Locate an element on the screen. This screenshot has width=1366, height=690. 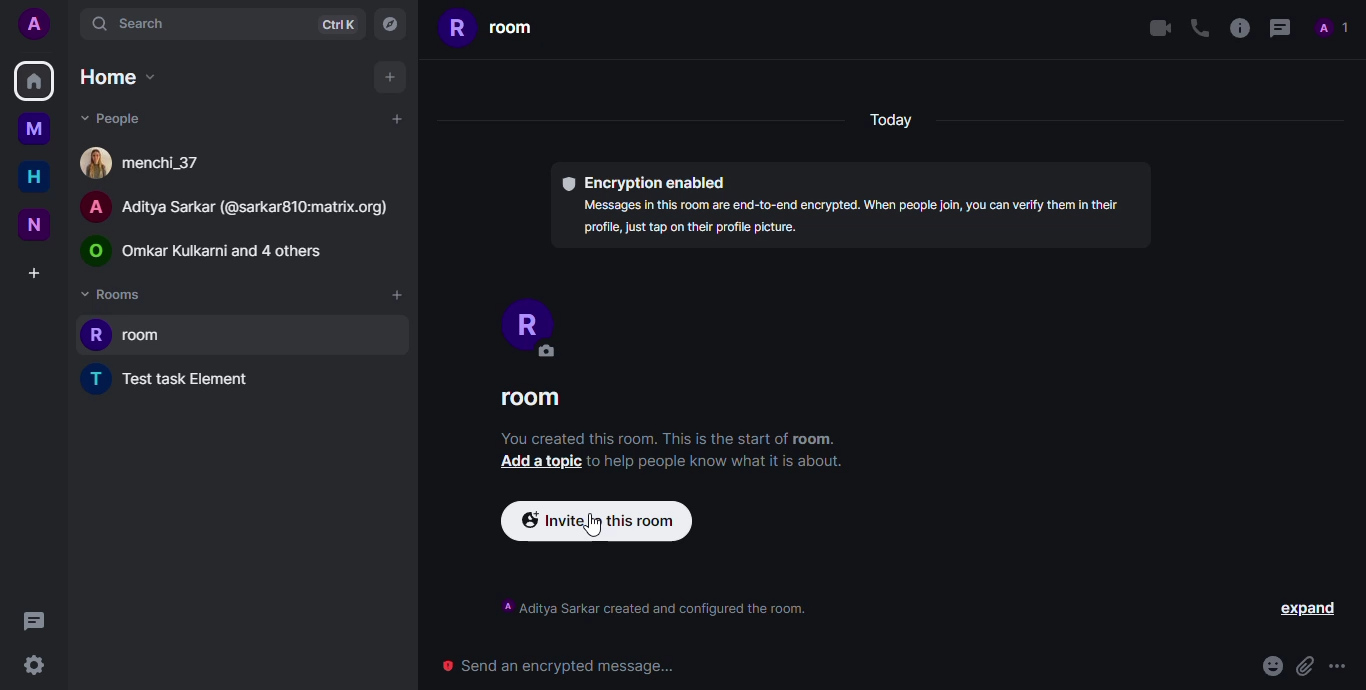
Add a topic is located at coordinates (529, 463).